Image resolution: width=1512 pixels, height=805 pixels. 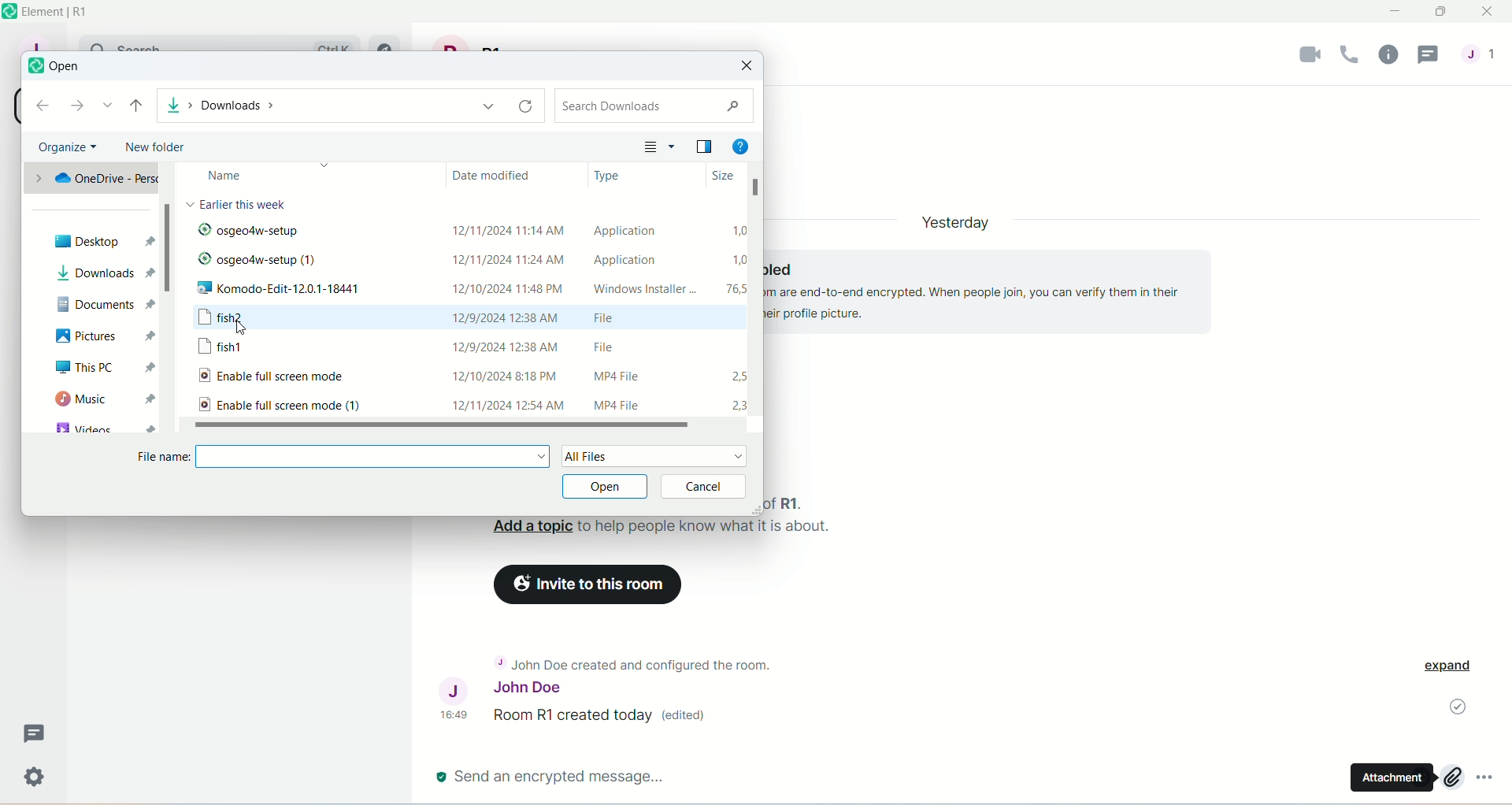 What do you see at coordinates (105, 371) in the screenshot?
I see `this PC ` at bounding box center [105, 371].